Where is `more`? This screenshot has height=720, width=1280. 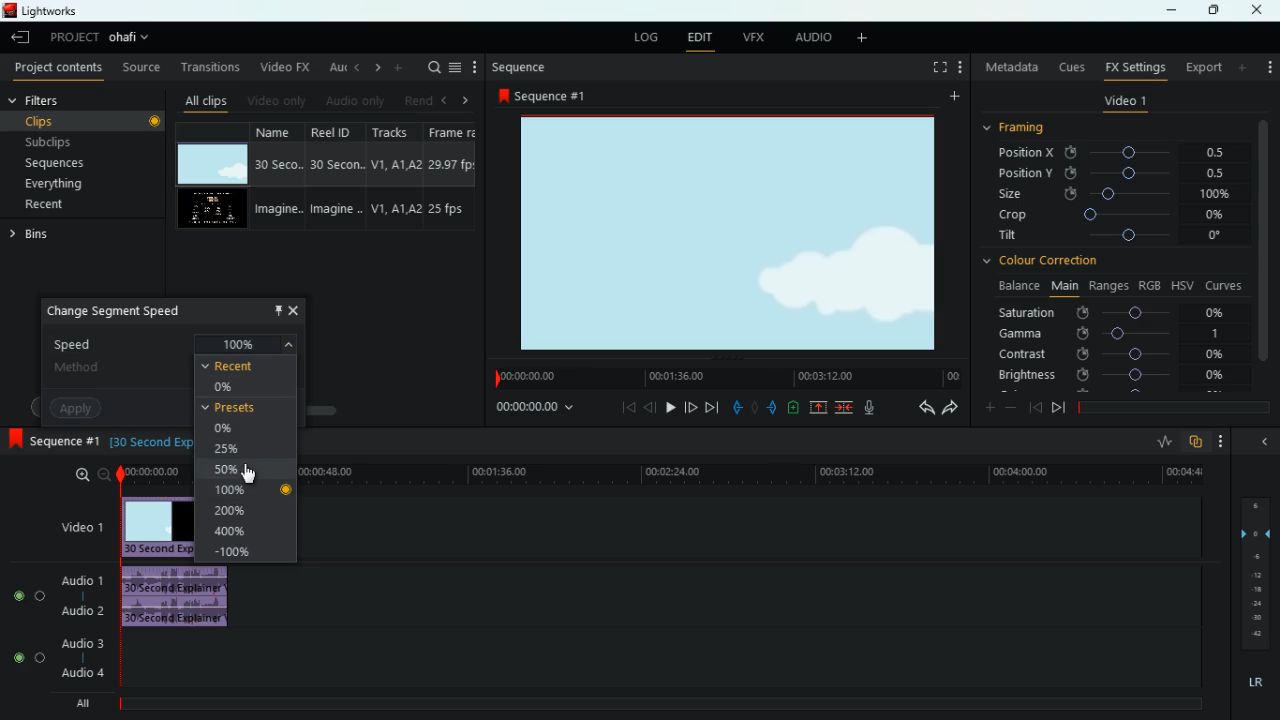
more is located at coordinates (960, 67).